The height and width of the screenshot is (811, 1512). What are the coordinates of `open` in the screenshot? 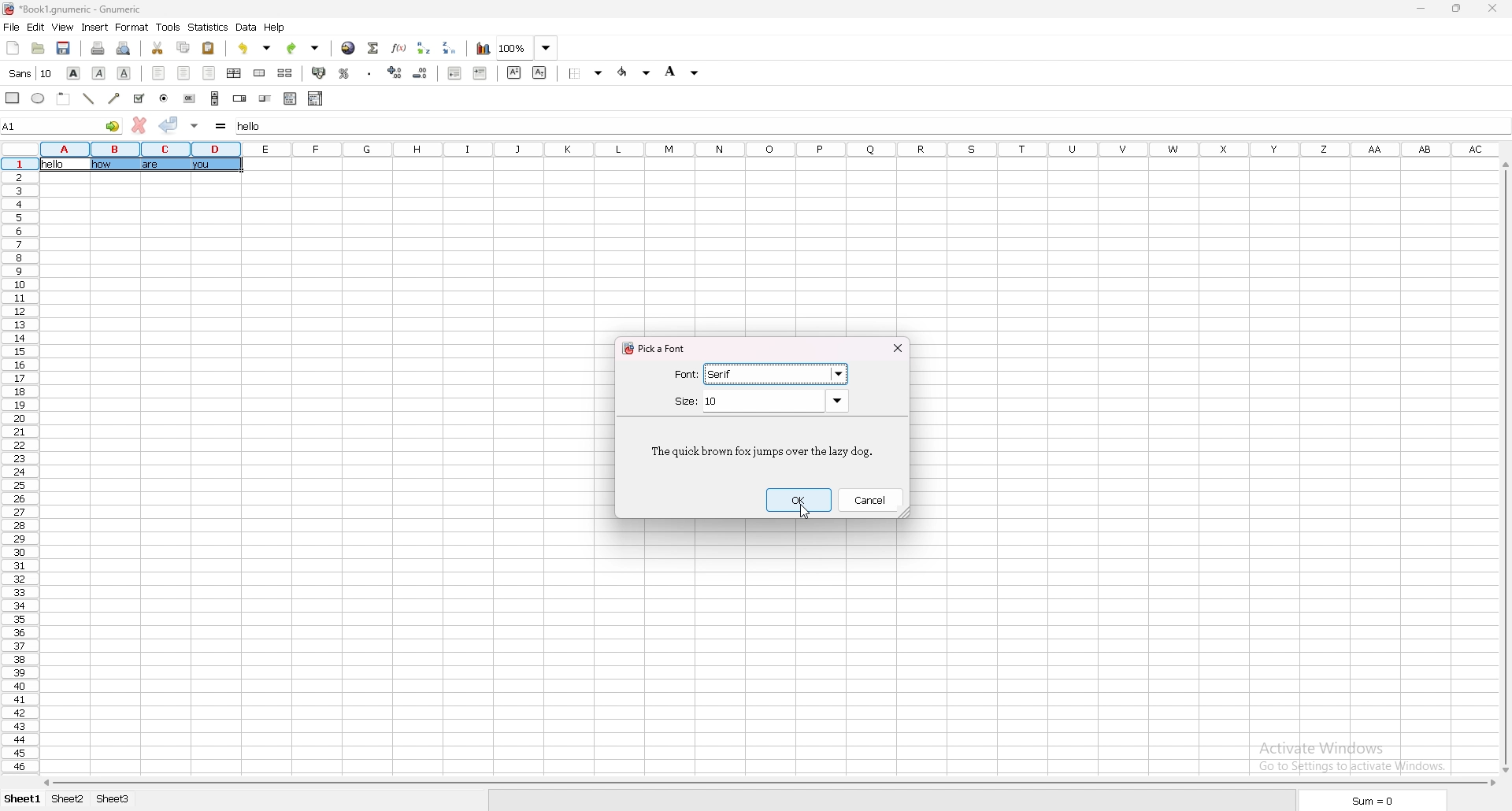 It's located at (38, 47).